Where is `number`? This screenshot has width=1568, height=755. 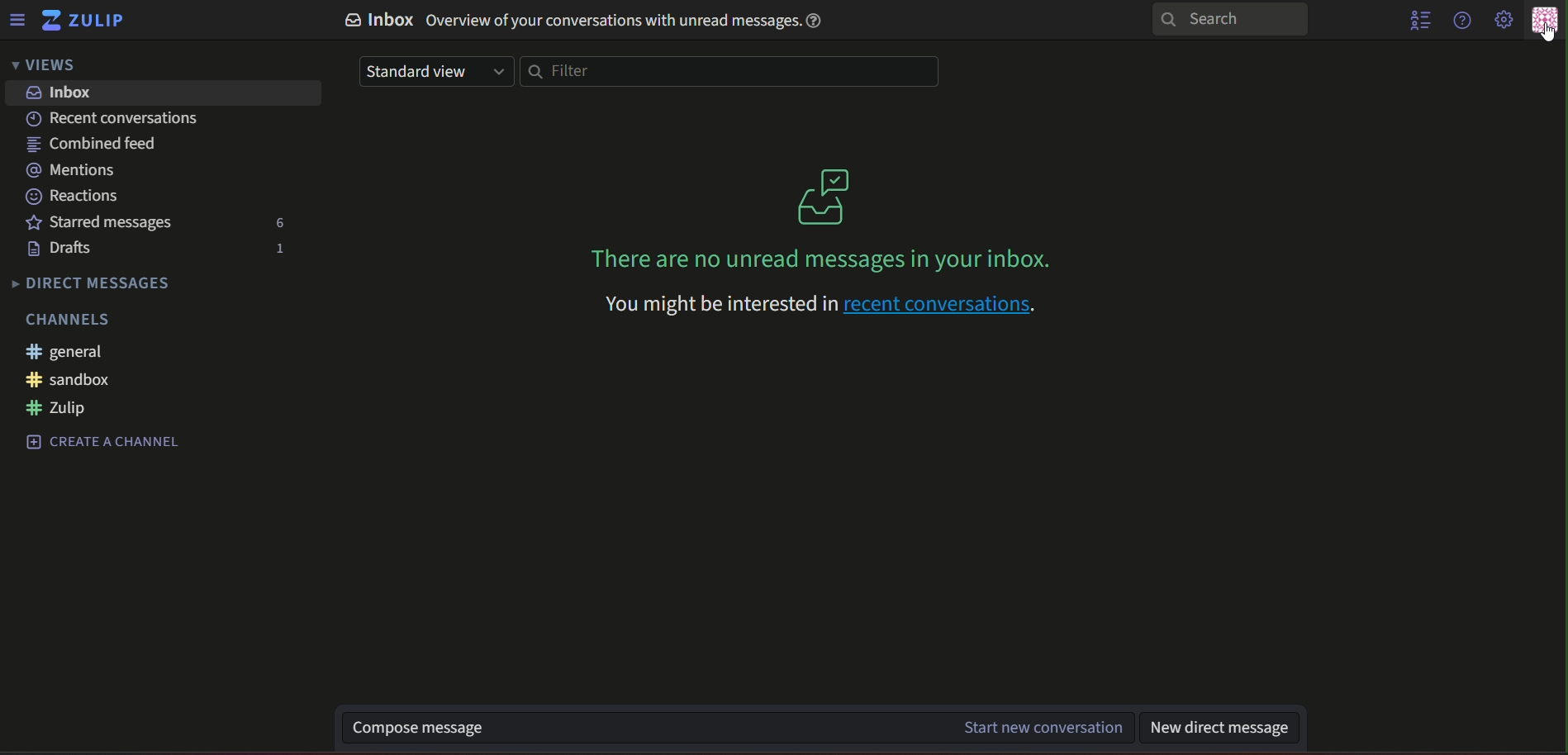 number is located at coordinates (284, 249).